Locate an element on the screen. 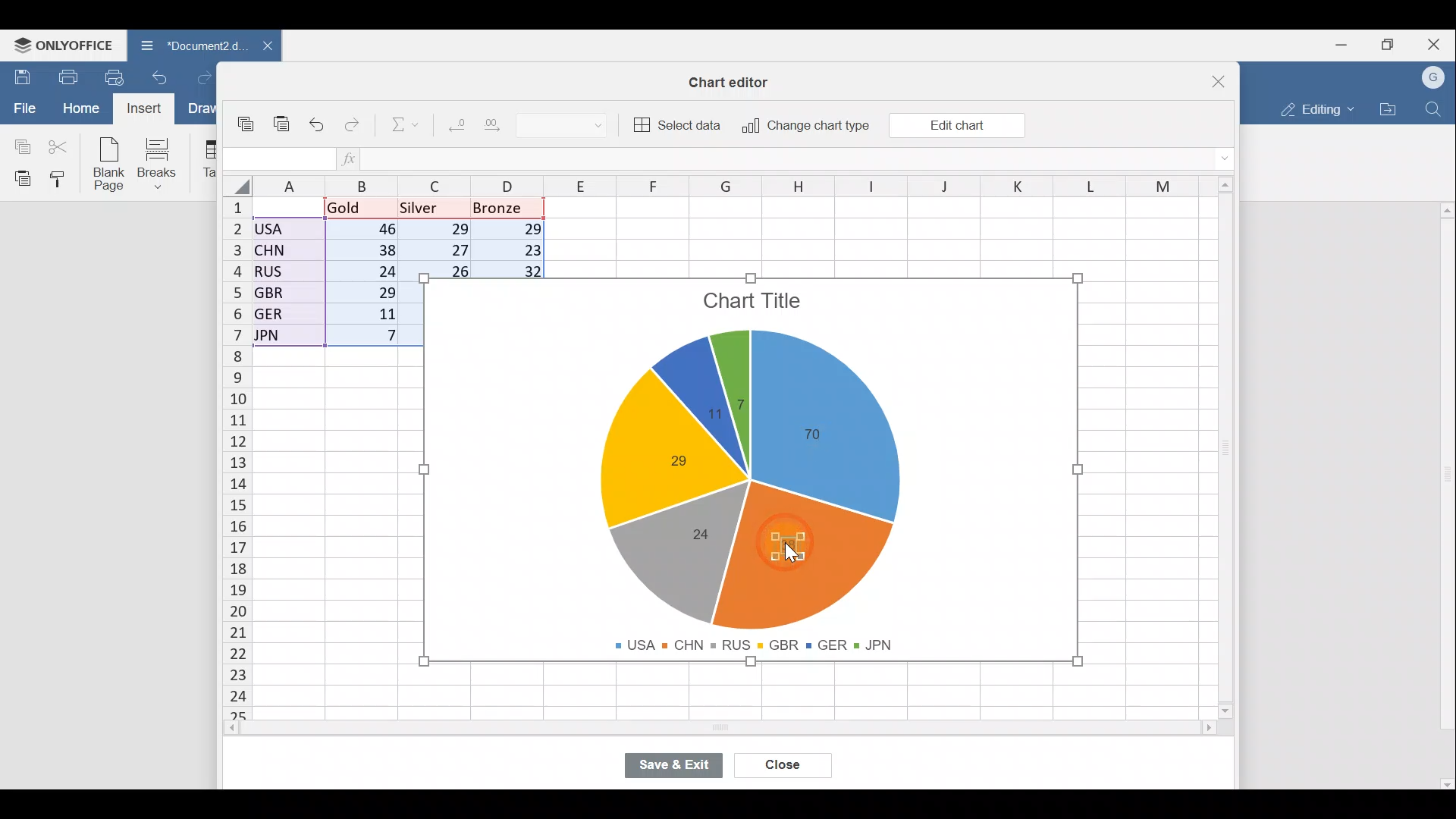  Table is located at coordinates (205, 159).